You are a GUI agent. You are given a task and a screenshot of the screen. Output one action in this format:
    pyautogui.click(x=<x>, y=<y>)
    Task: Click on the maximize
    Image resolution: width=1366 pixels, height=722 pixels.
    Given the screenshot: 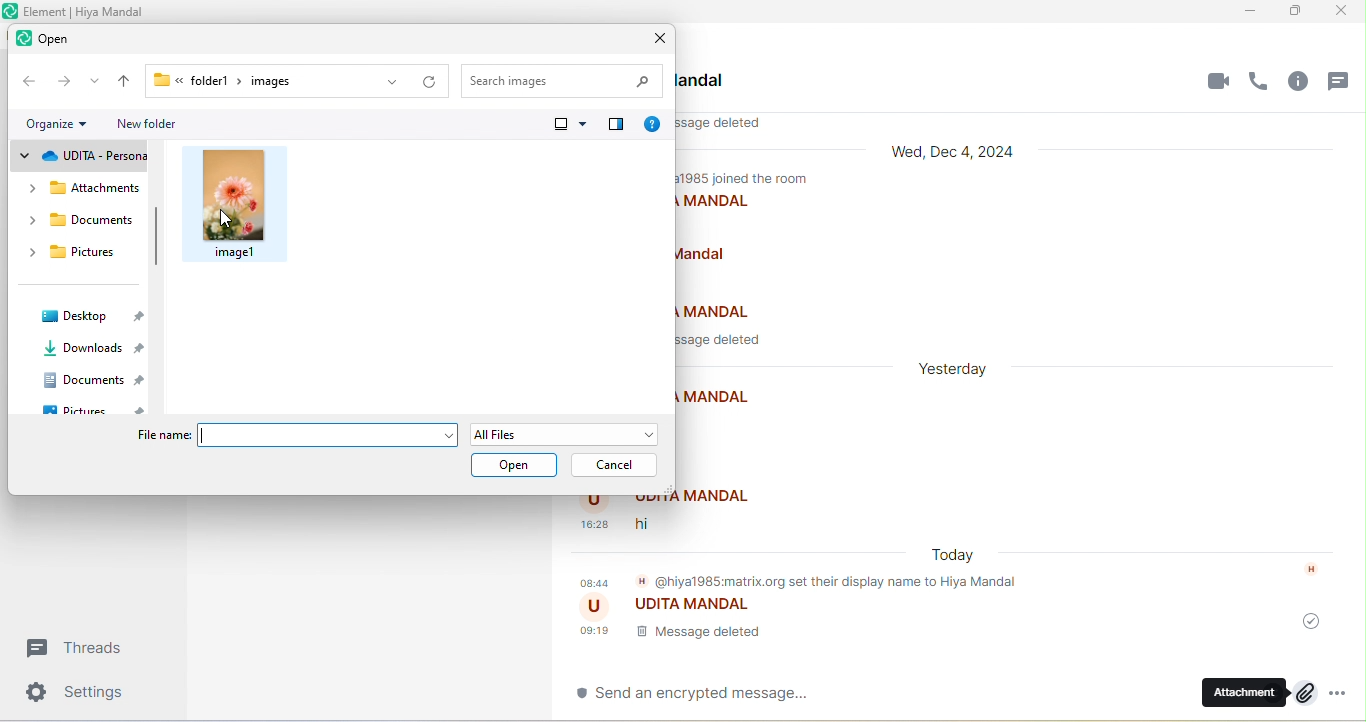 What is the action you would take?
    pyautogui.click(x=1300, y=11)
    